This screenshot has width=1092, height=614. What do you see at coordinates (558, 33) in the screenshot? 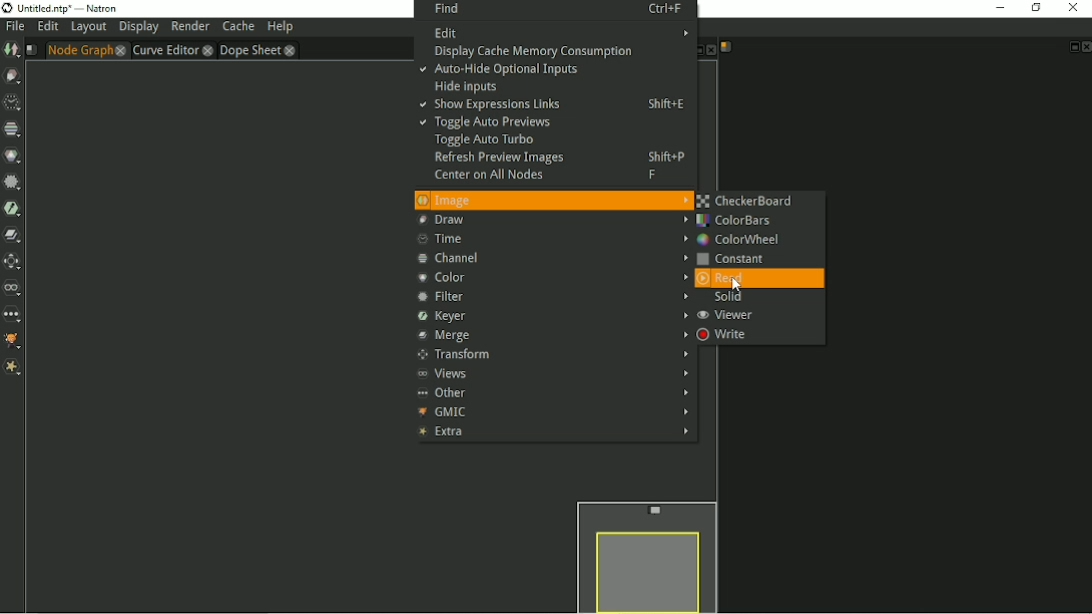
I see `Edit` at bounding box center [558, 33].